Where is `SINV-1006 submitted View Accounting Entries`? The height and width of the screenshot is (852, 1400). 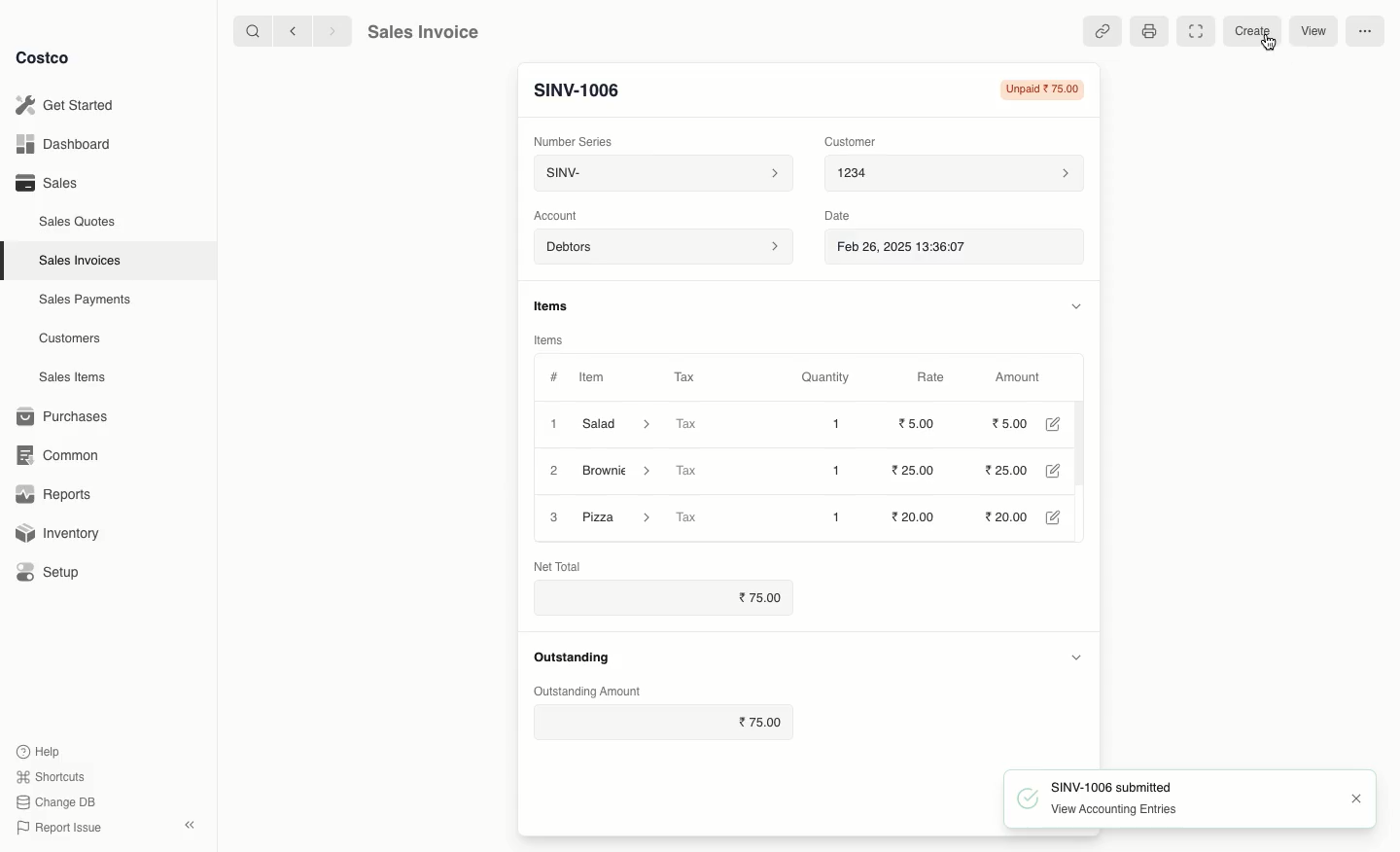
SINV-1006 submitted View Accounting Entries is located at coordinates (1102, 799).